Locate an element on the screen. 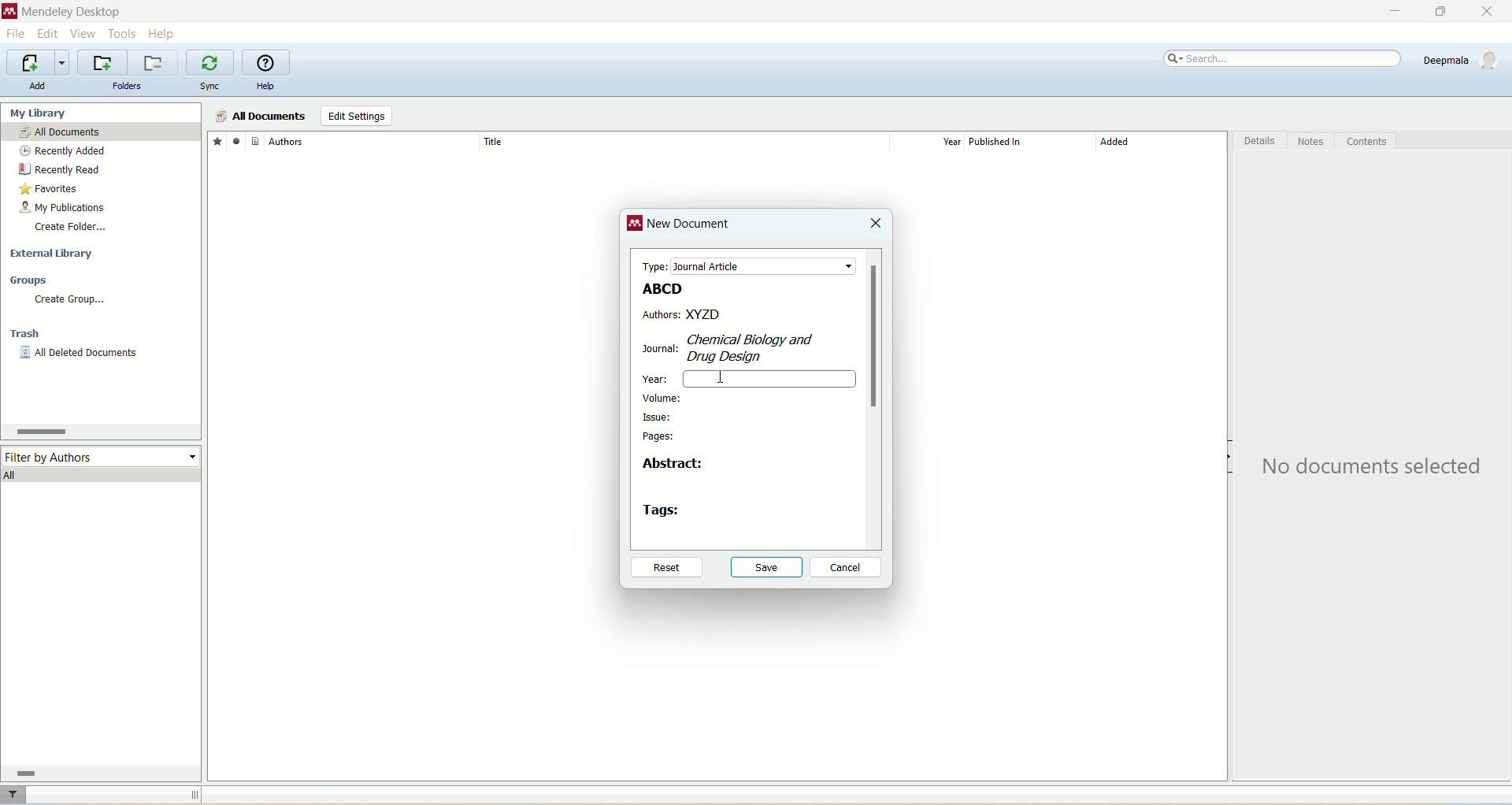  year is located at coordinates (658, 376).